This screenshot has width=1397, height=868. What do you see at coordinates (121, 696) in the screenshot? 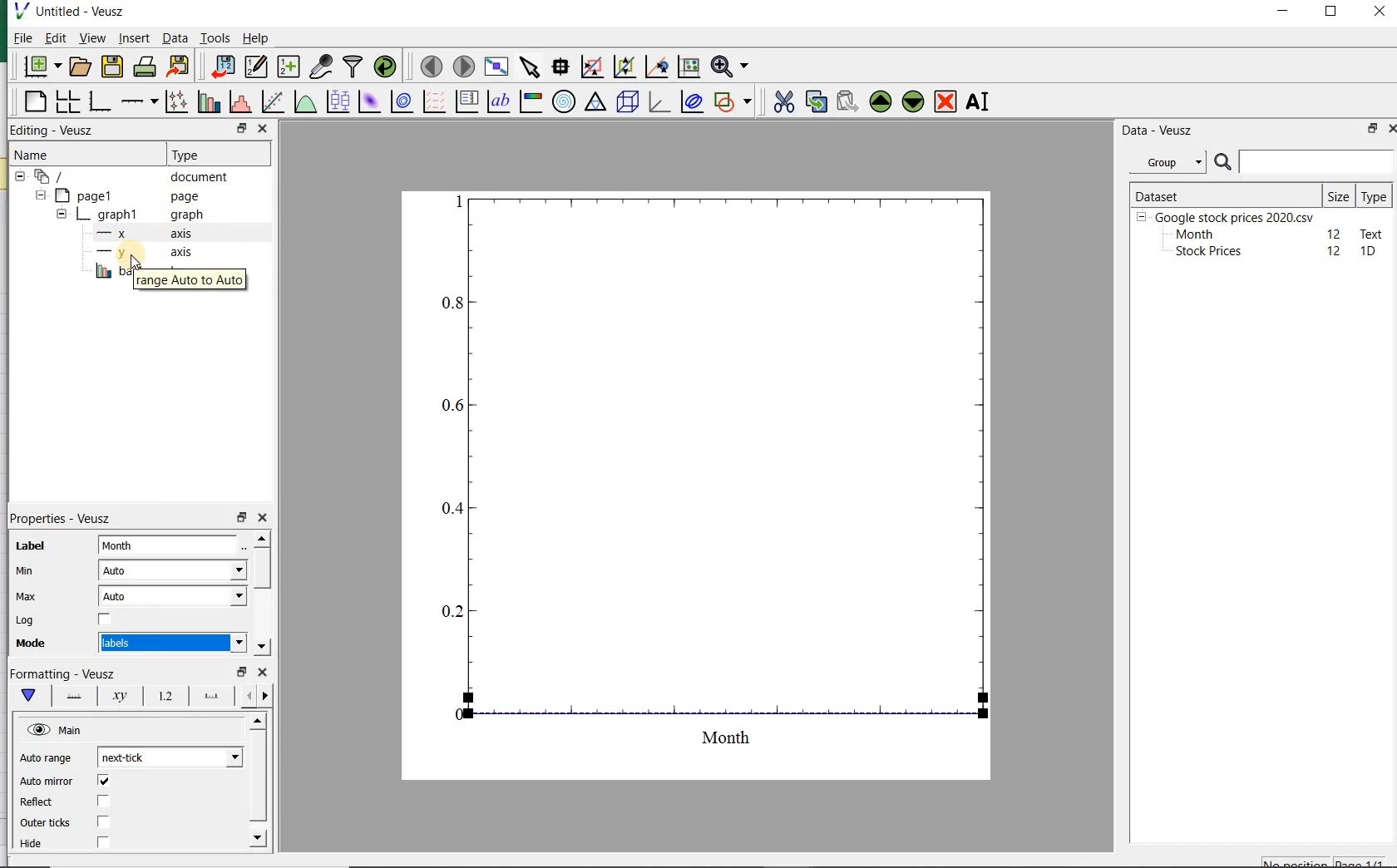
I see `axis label` at bounding box center [121, 696].